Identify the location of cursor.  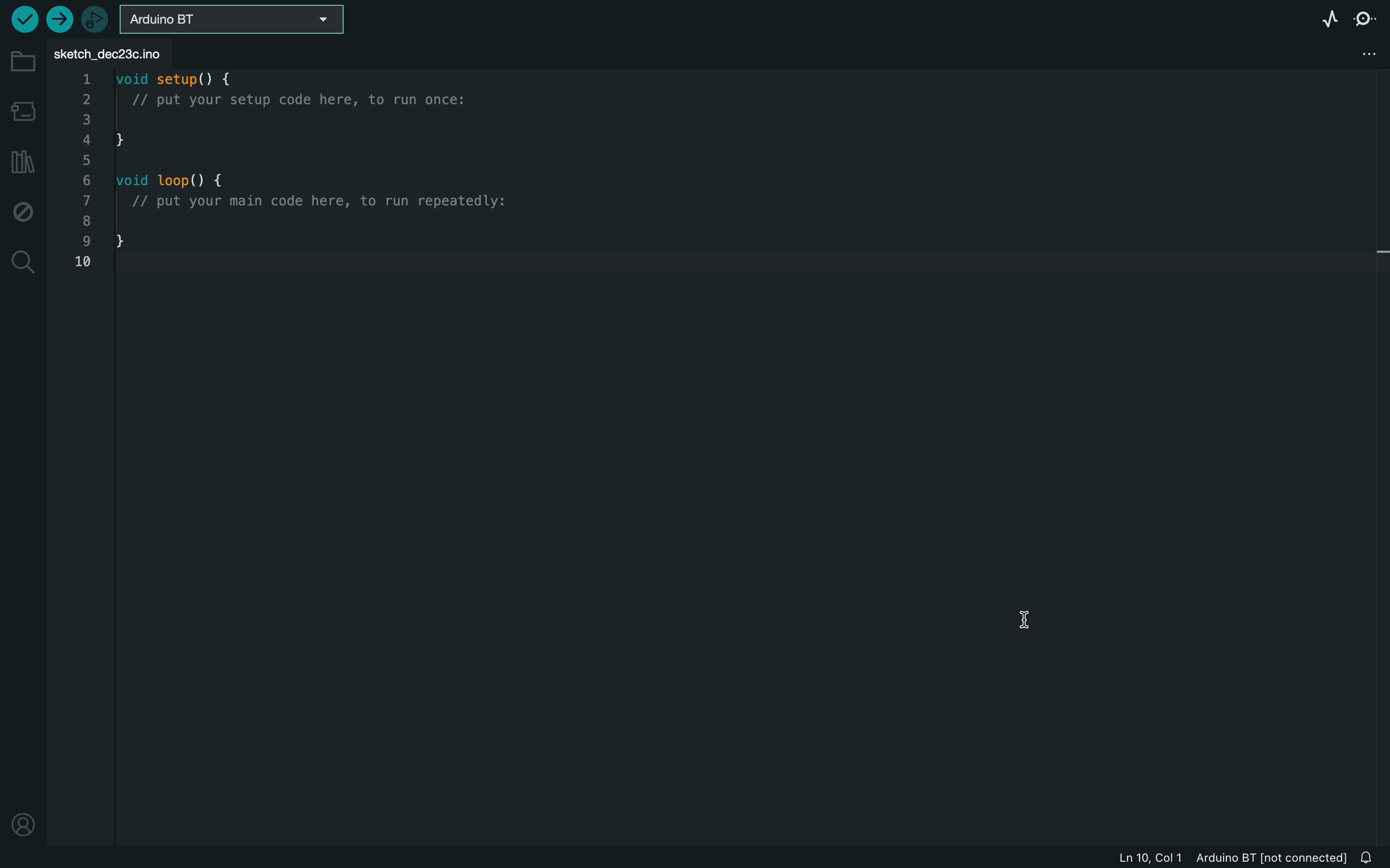
(1024, 617).